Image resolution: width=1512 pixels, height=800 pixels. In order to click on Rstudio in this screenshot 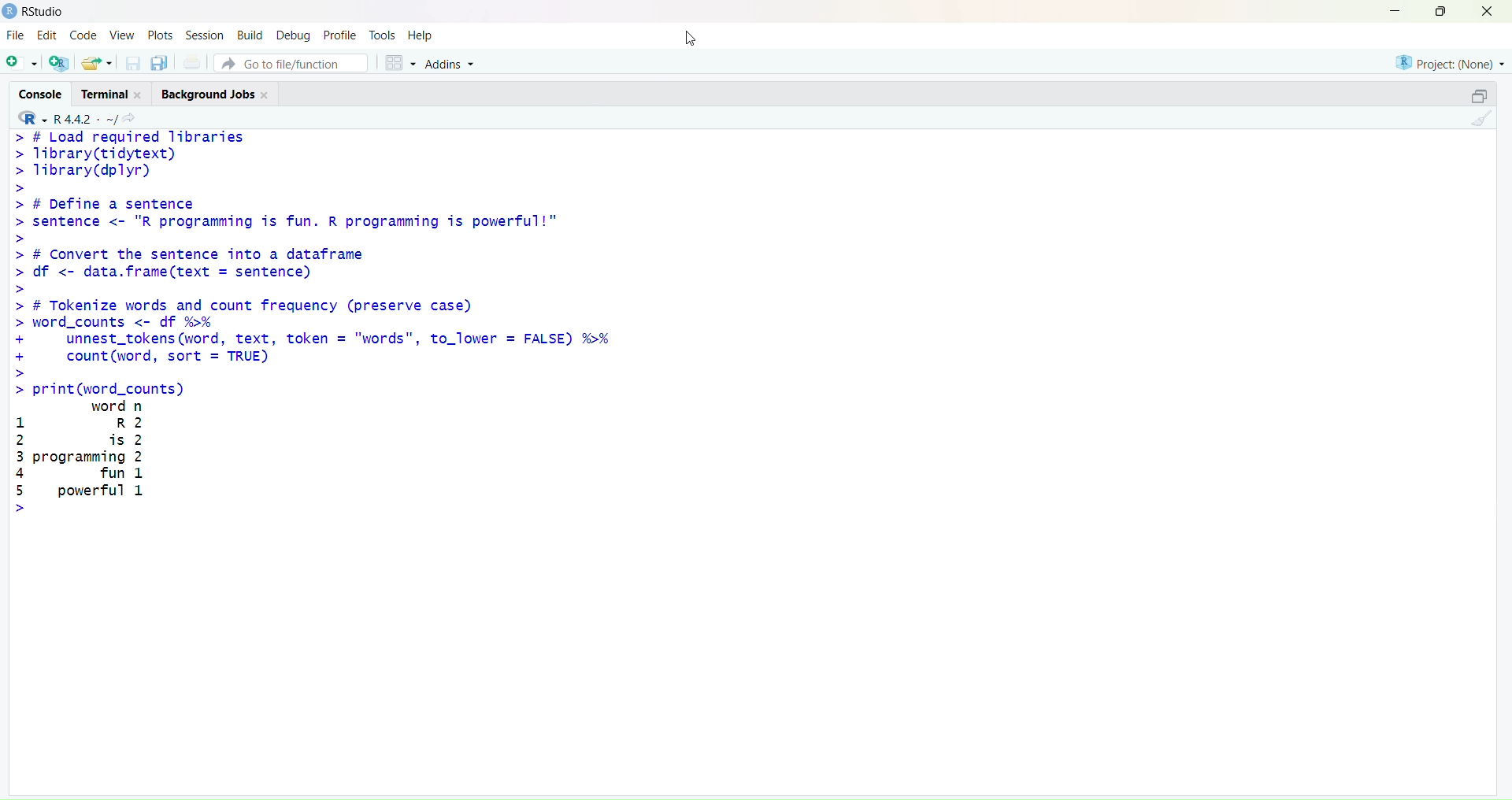, I will do `click(36, 12)`.